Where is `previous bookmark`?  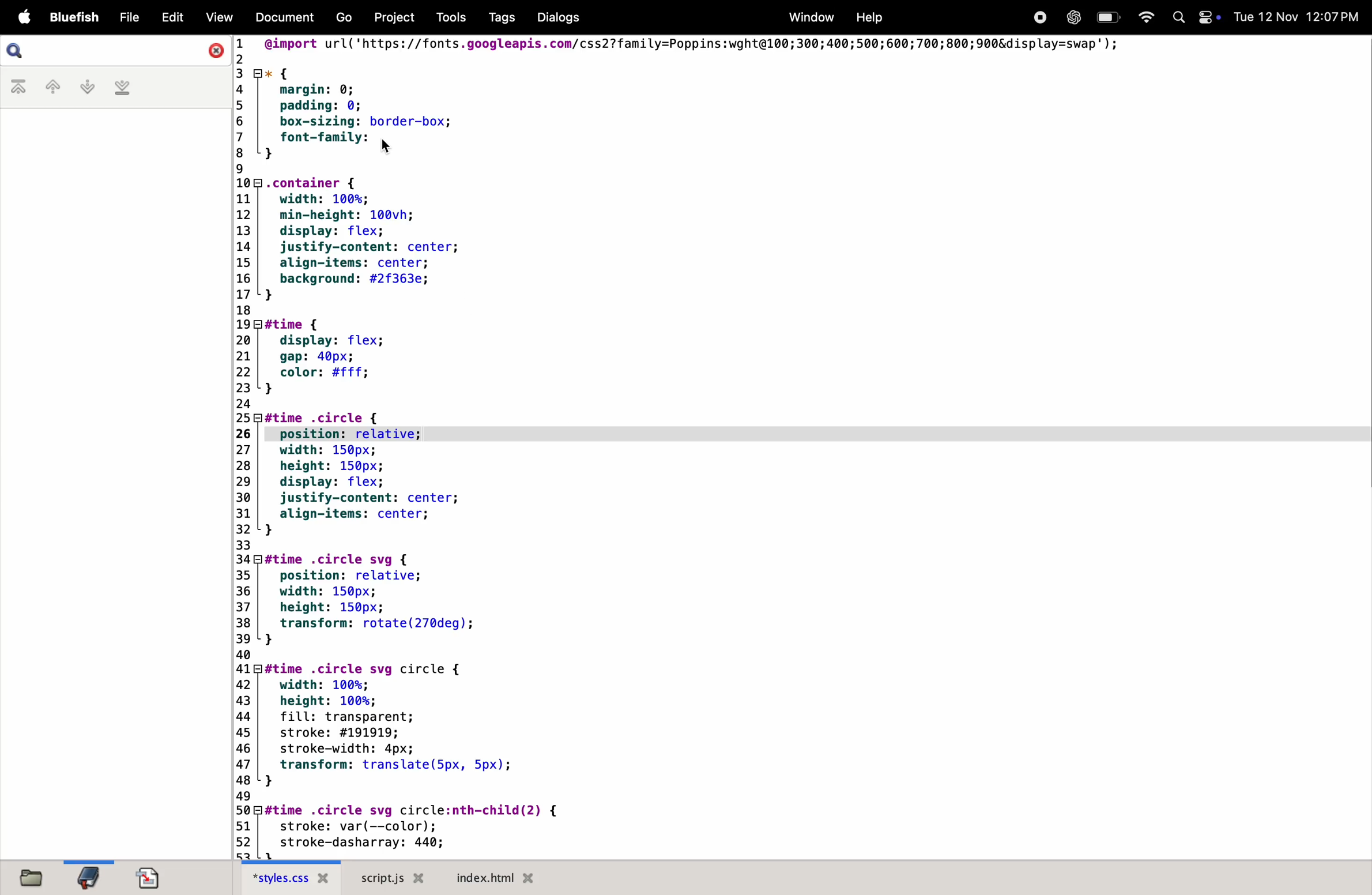
previous bookmark is located at coordinates (46, 87).